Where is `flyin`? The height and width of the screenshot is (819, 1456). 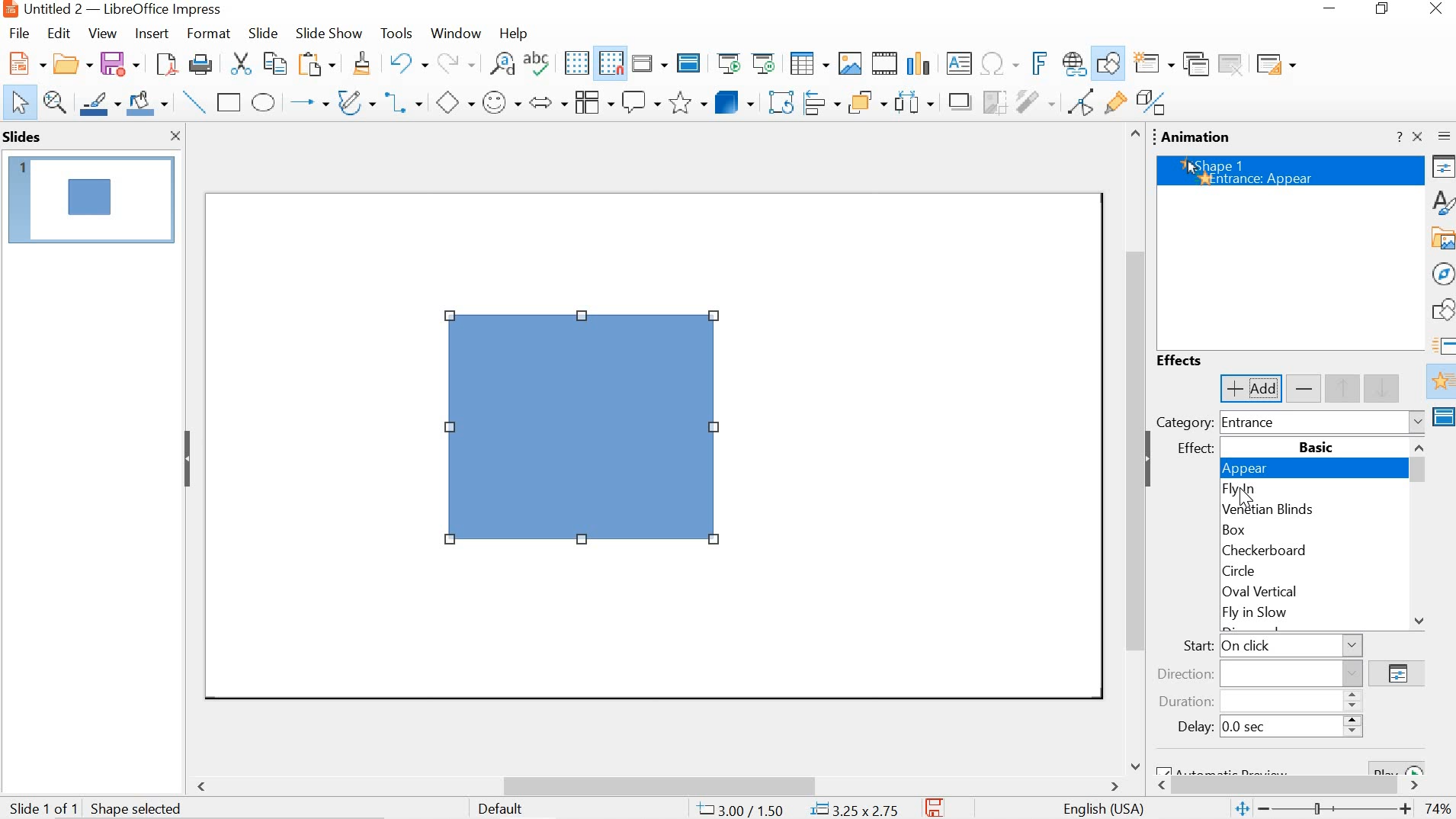 flyin is located at coordinates (1314, 490).